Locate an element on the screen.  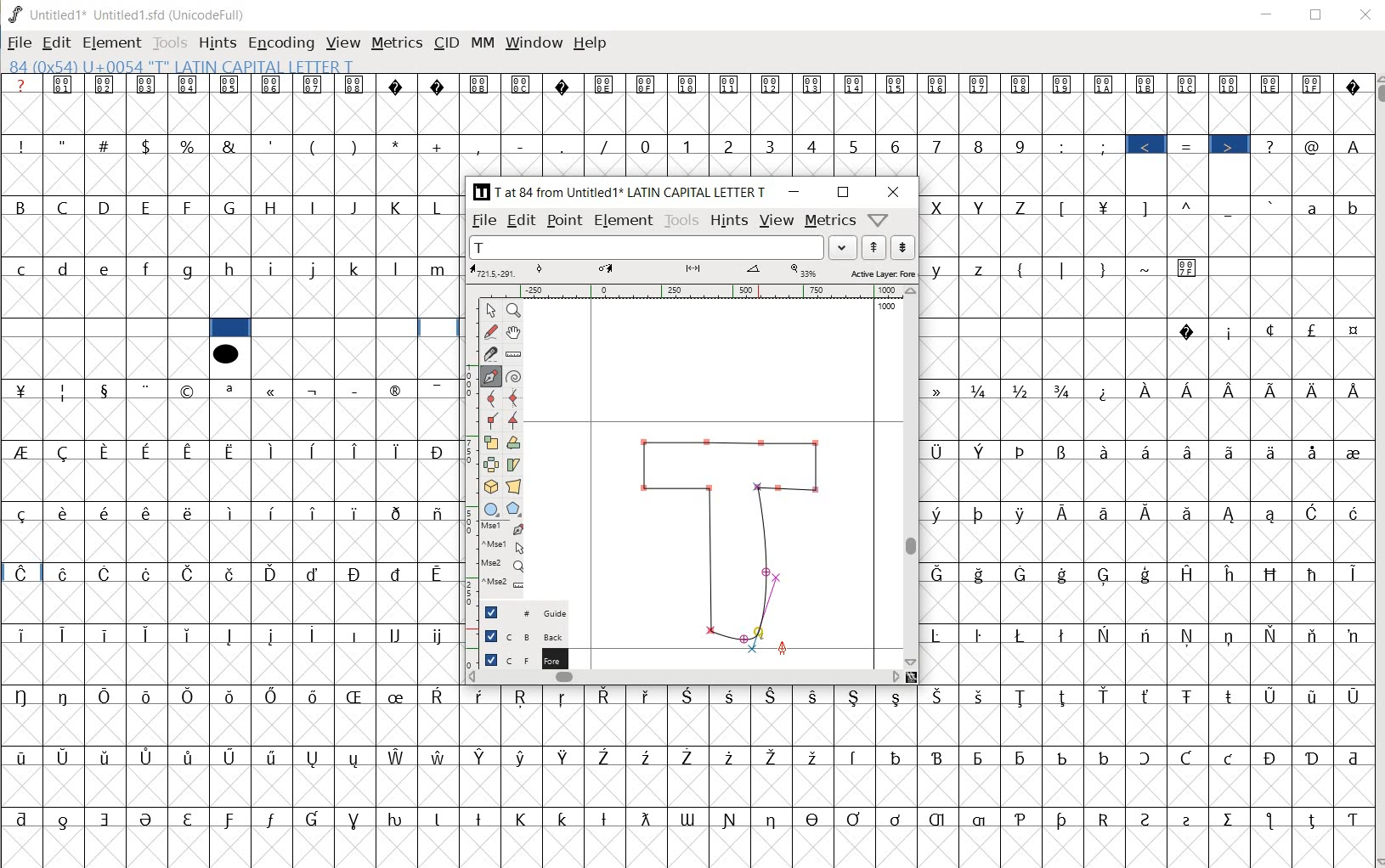
2 is located at coordinates (731, 146).